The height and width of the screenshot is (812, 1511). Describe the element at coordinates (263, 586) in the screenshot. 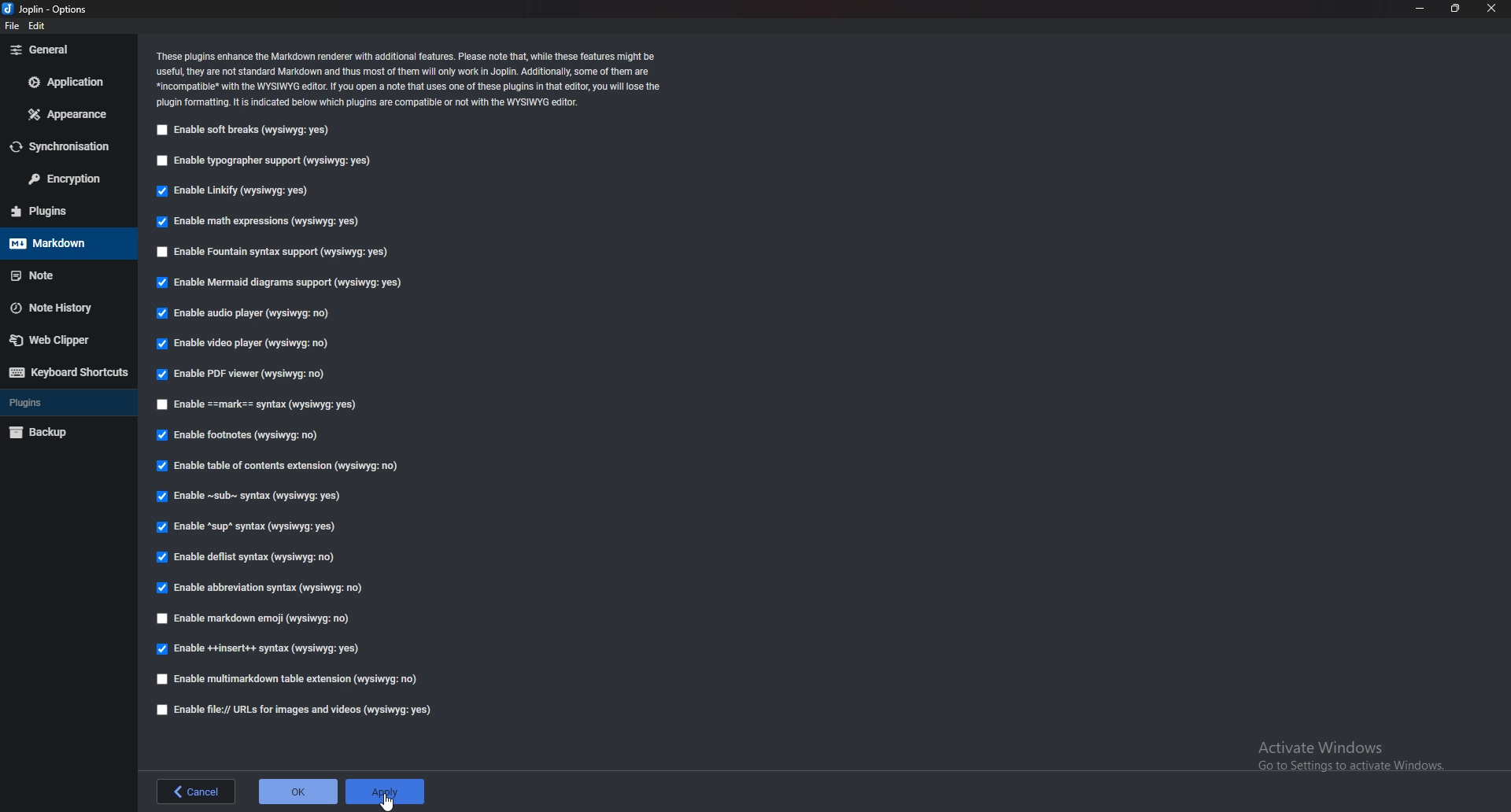

I see `enable Abbreviation Syntax` at that location.